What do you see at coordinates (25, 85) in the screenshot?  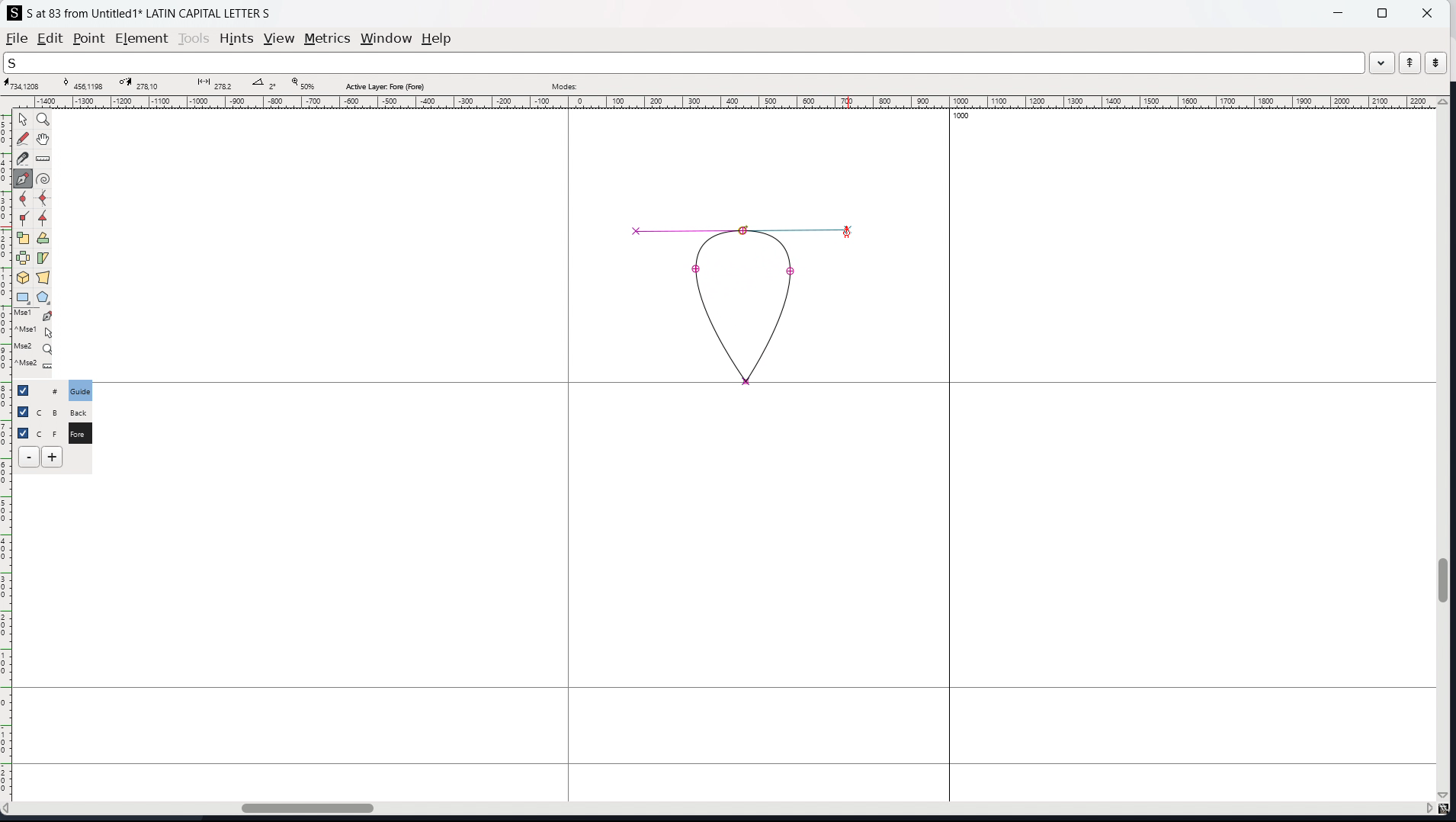 I see `cursor coordinate` at bounding box center [25, 85].